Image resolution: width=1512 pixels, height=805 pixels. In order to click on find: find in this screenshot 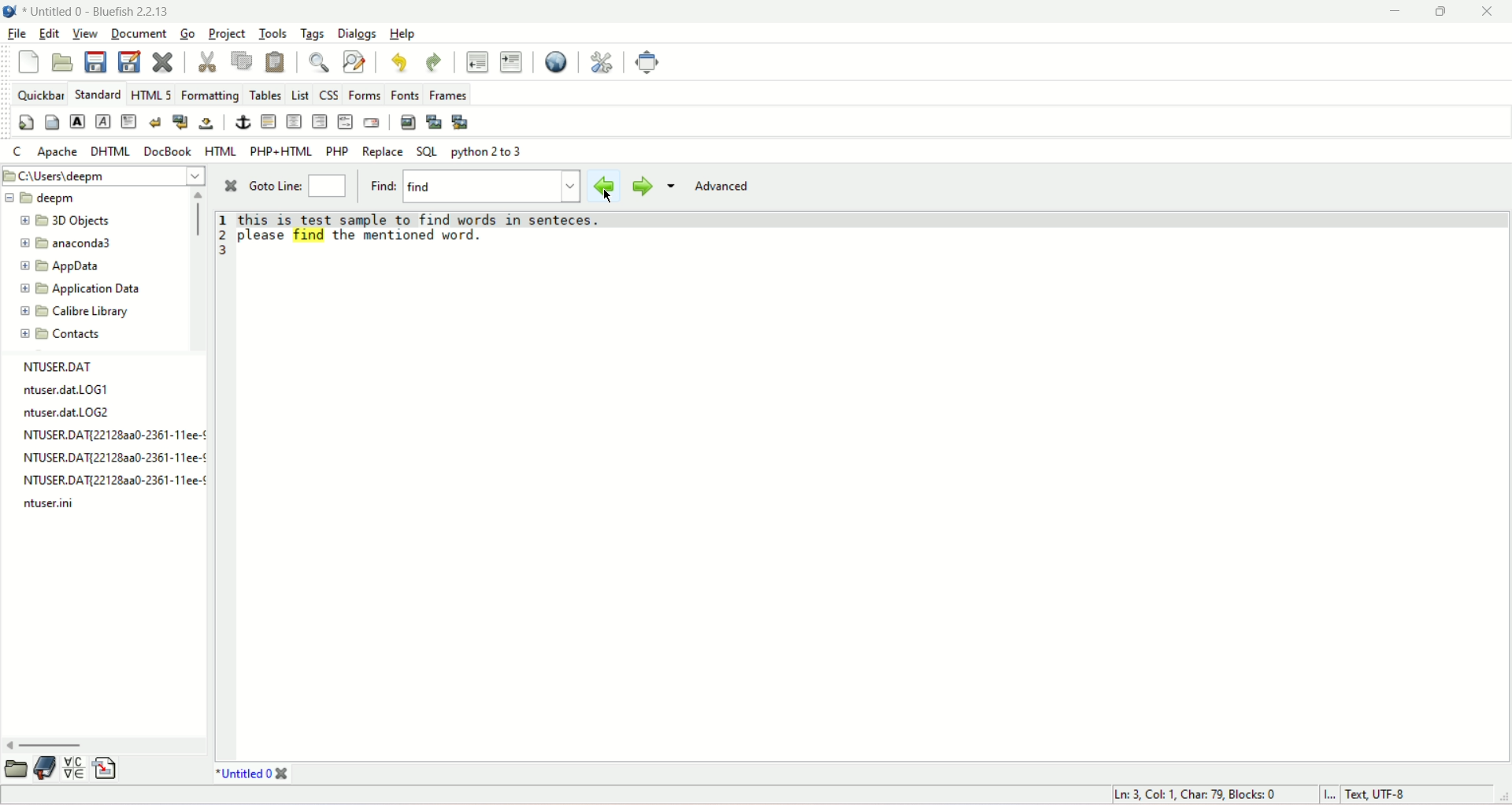, I will do `click(473, 186)`.